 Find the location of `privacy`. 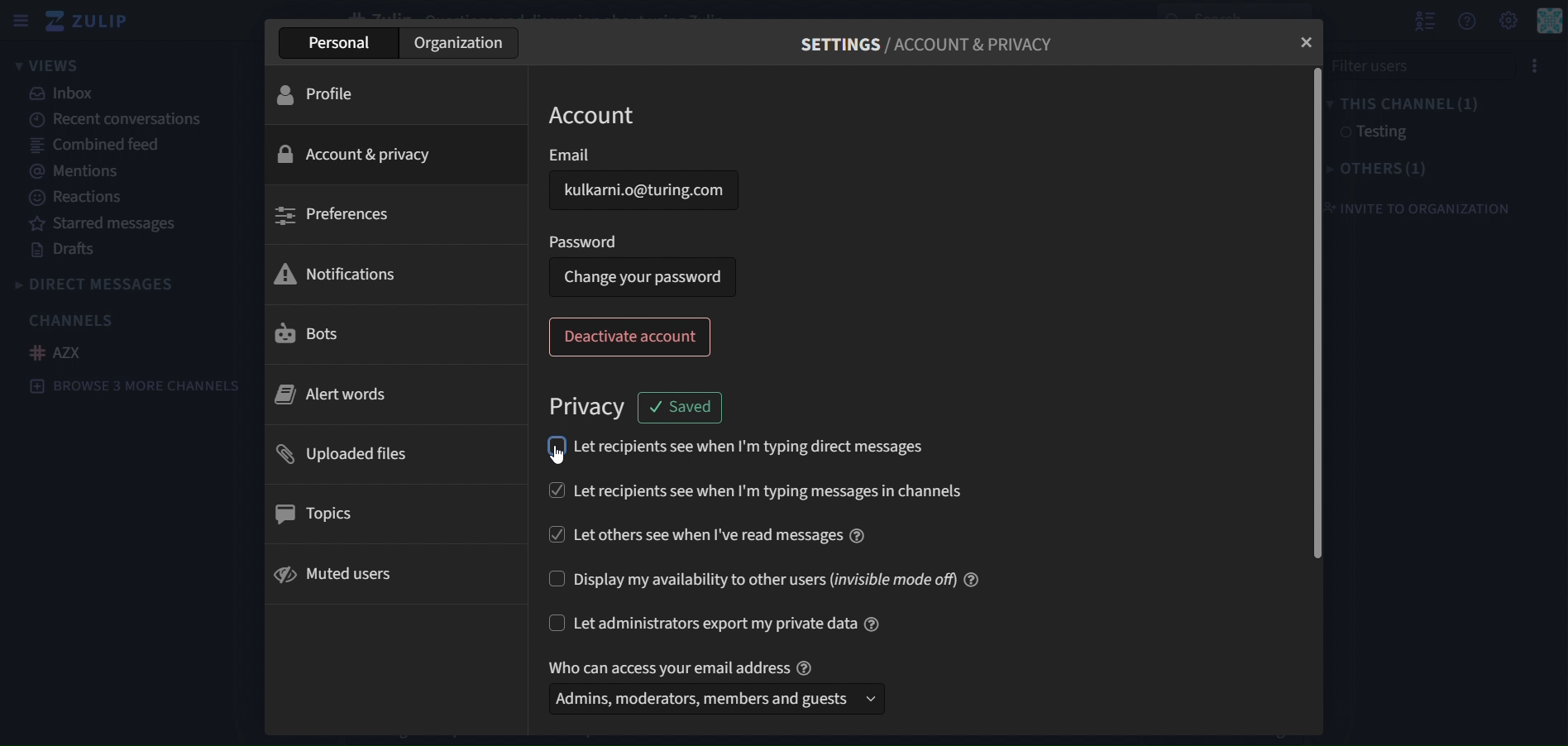

privacy is located at coordinates (587, 409).